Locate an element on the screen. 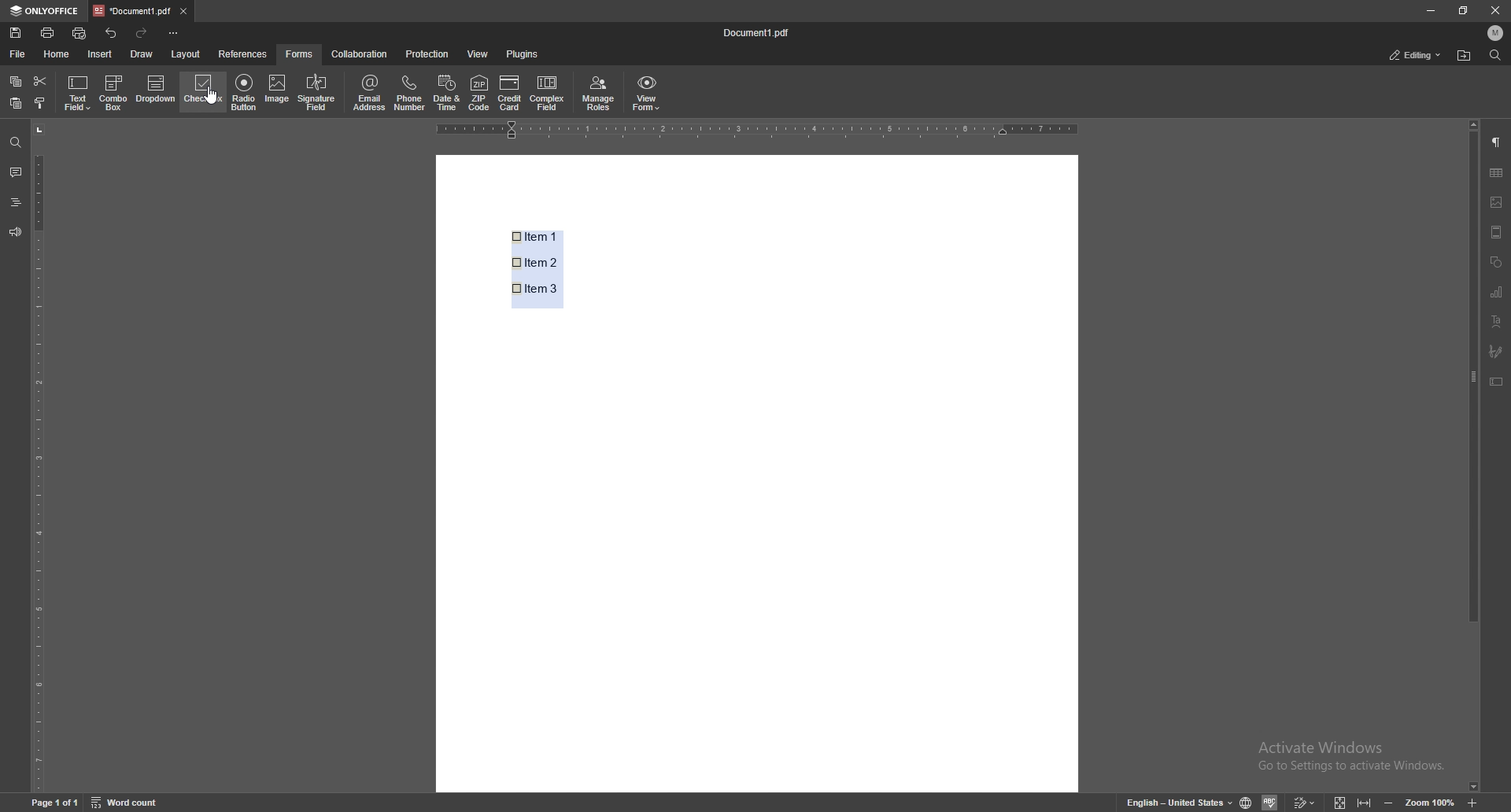  text art is located at coordinates (1498, 322).